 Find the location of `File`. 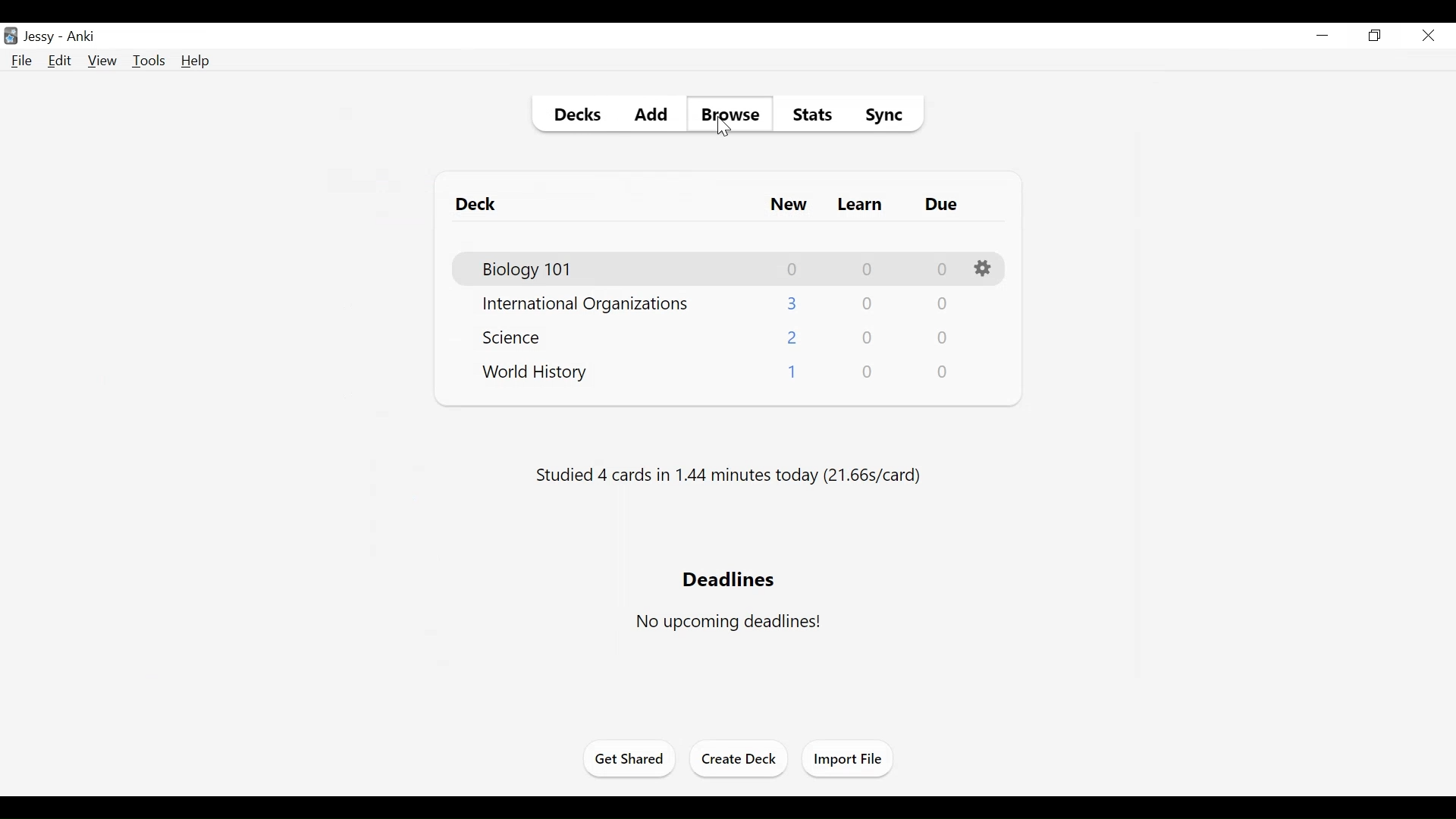

File is located at coordinates (24, 61).